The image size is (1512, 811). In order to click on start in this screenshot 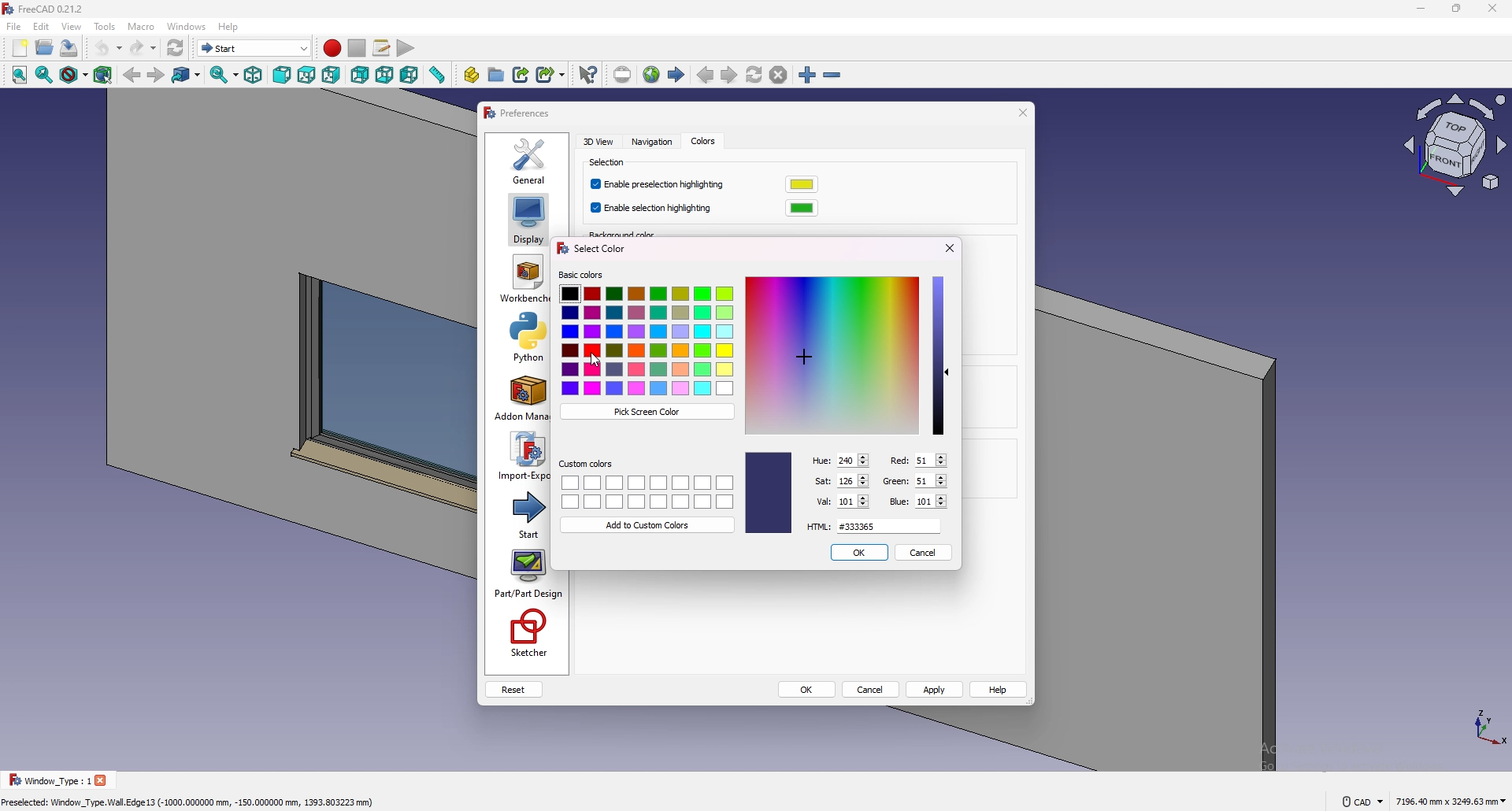, I will do `click(523, 513)`.